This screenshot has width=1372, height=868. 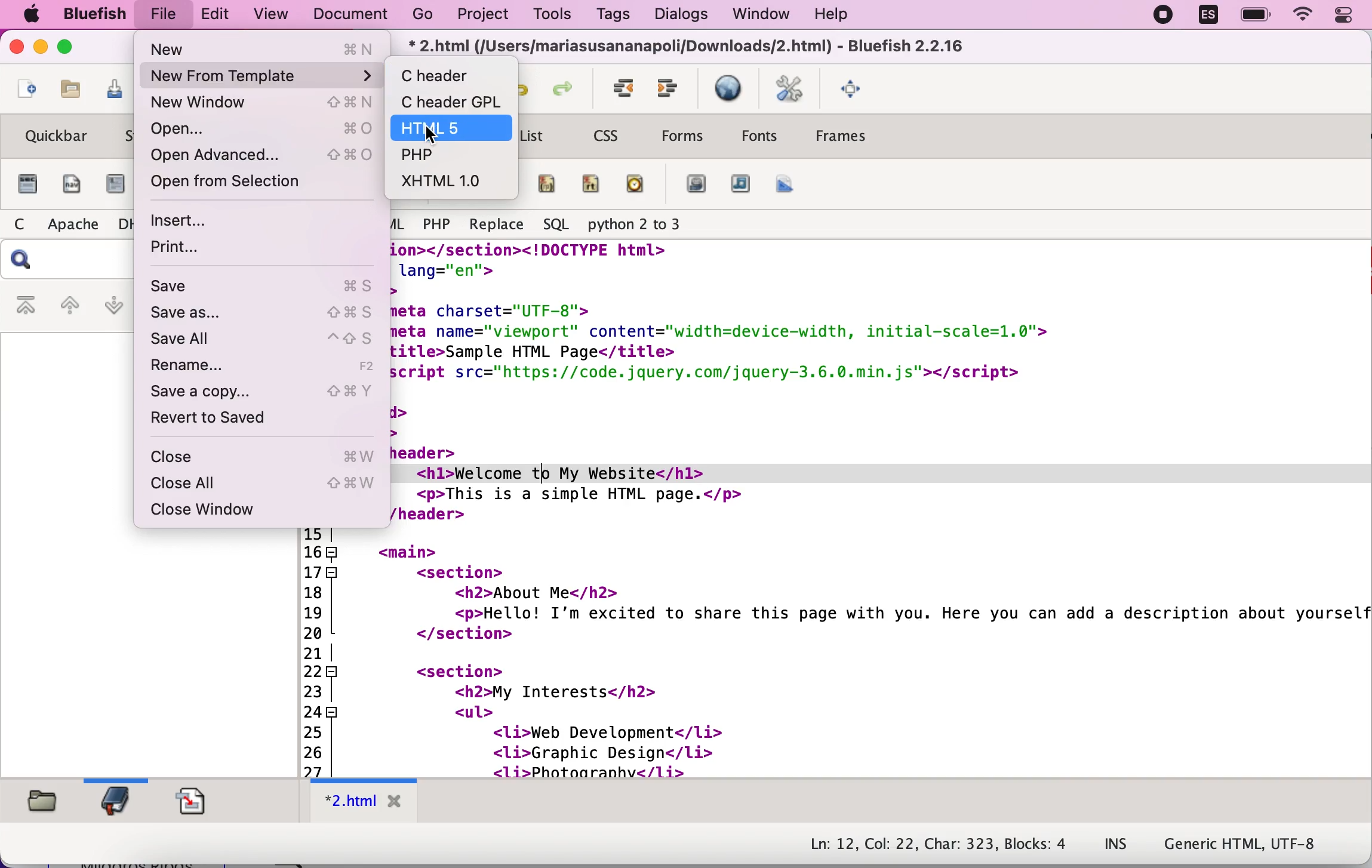 I want to click on fonts, so click(x=758, y=135).